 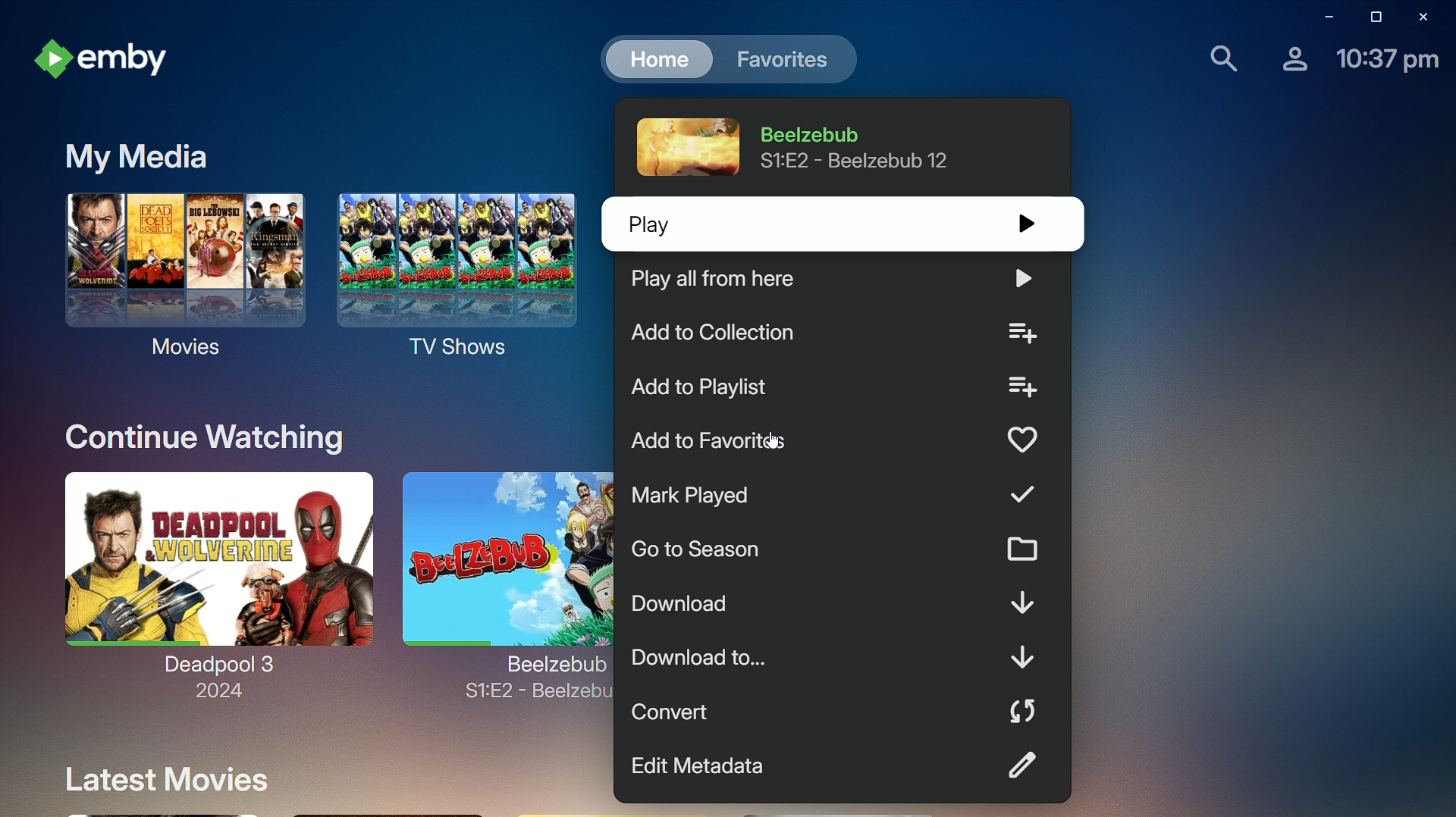 What do you see at coordinates (208, 439) in the screenshot?
I see `Continue Watching` at bounding box center [208, 439].